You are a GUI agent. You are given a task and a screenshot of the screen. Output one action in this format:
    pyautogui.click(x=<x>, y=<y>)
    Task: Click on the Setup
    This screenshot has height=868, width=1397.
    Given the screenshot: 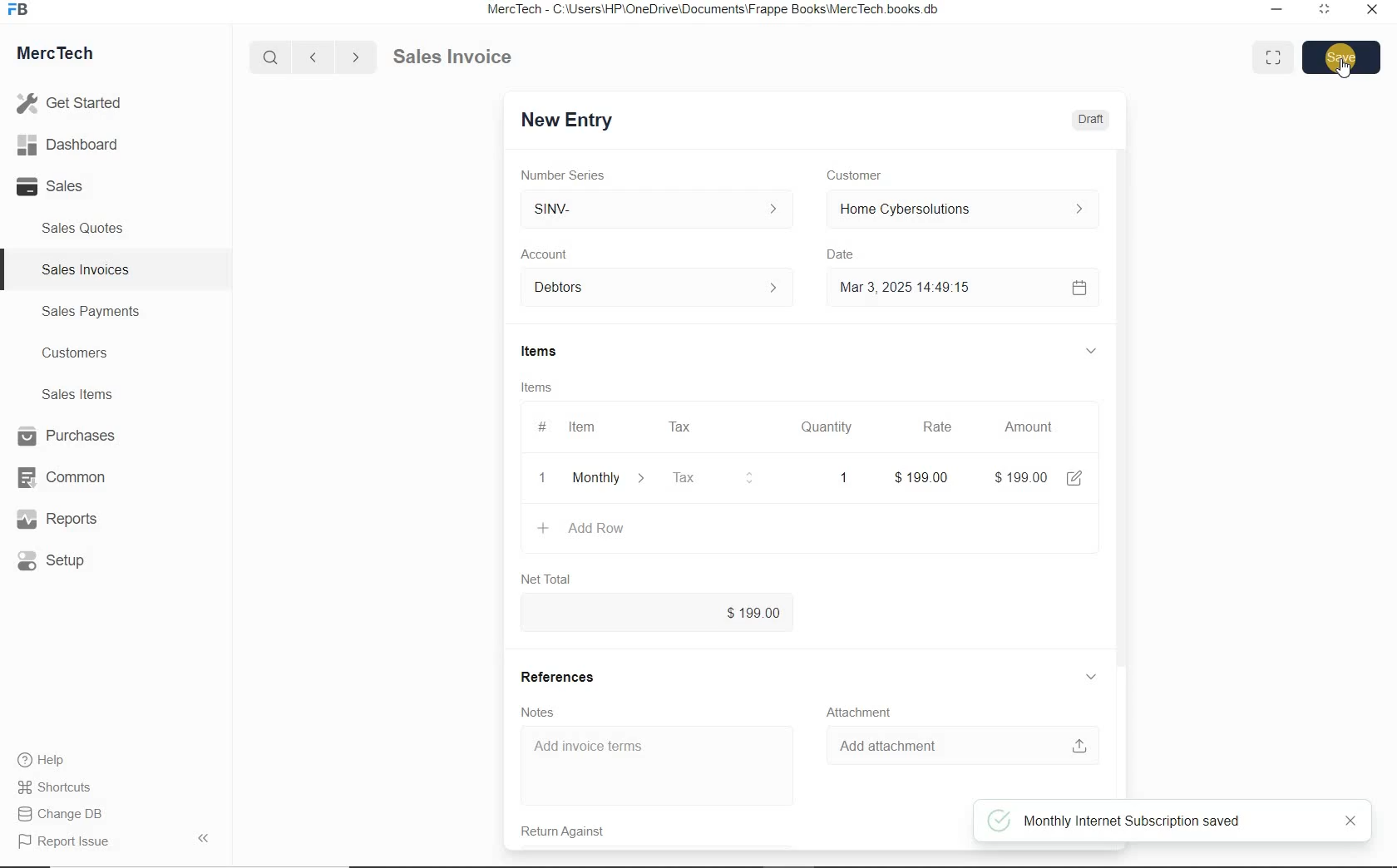 What is the action you would take?
    pyautogui.click(x=70, y=560)
    